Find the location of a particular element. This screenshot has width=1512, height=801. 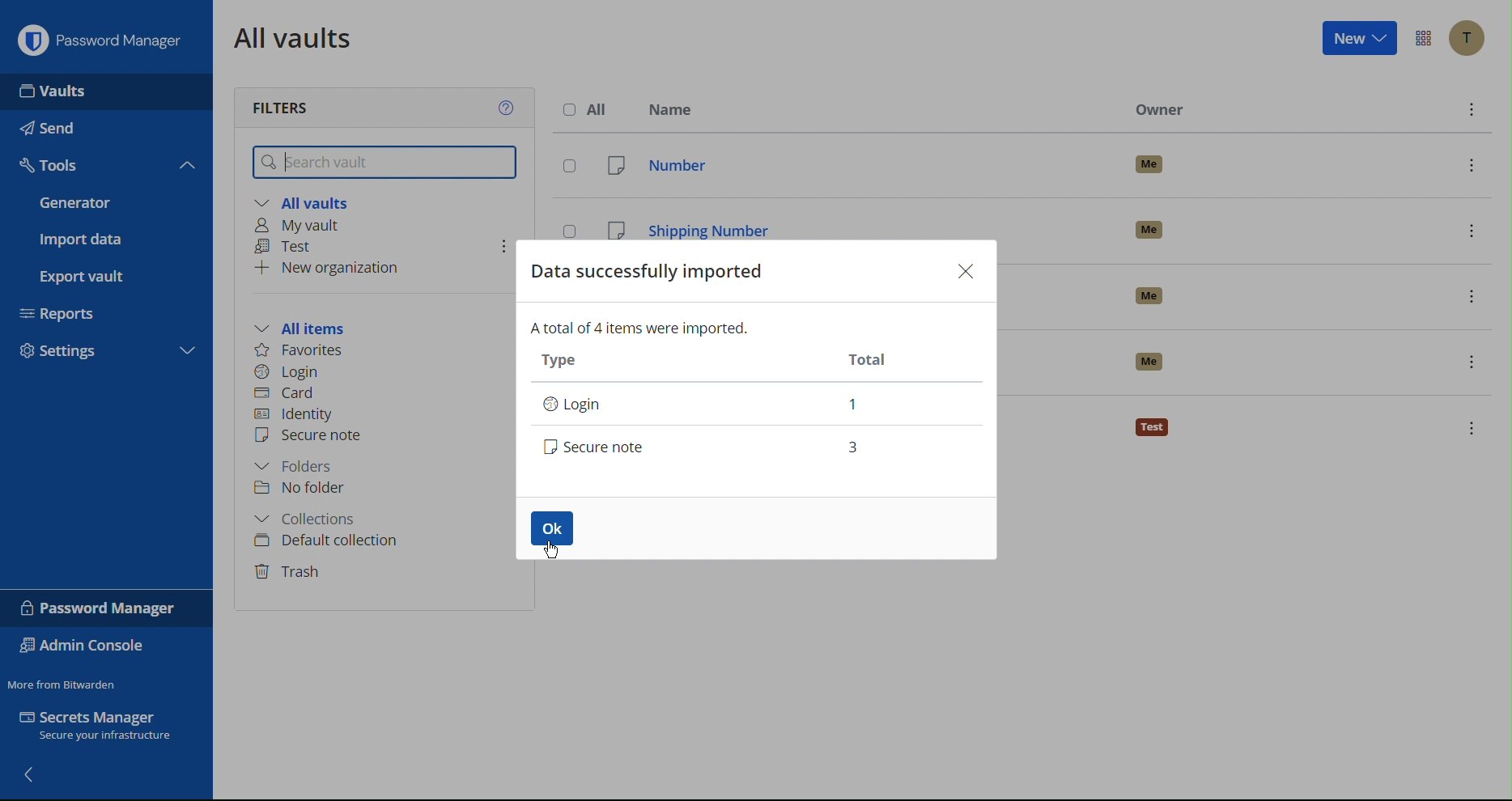

Secrets Manager is located at coordinates (99, 727).